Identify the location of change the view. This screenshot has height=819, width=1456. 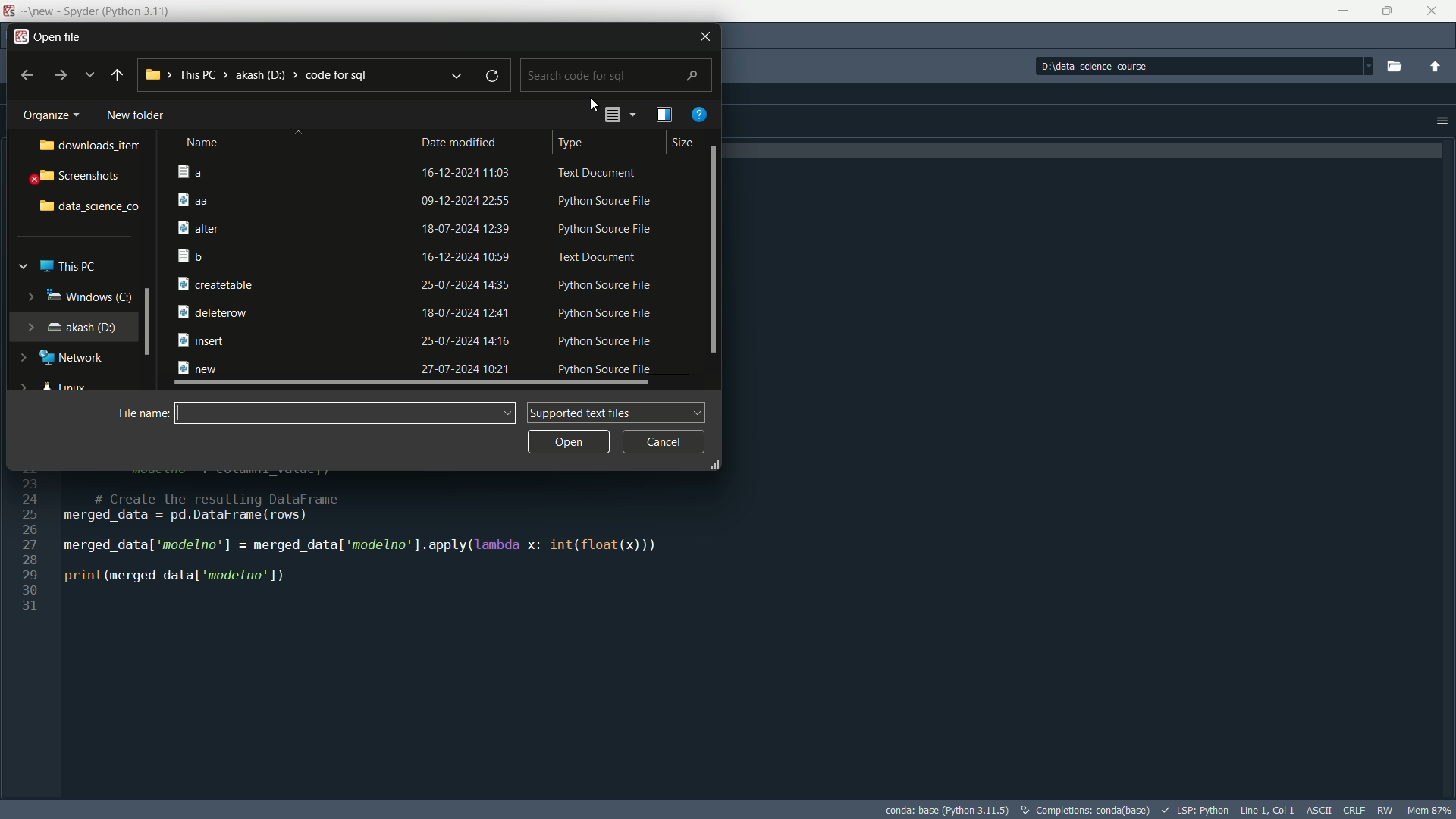
(611, 115).